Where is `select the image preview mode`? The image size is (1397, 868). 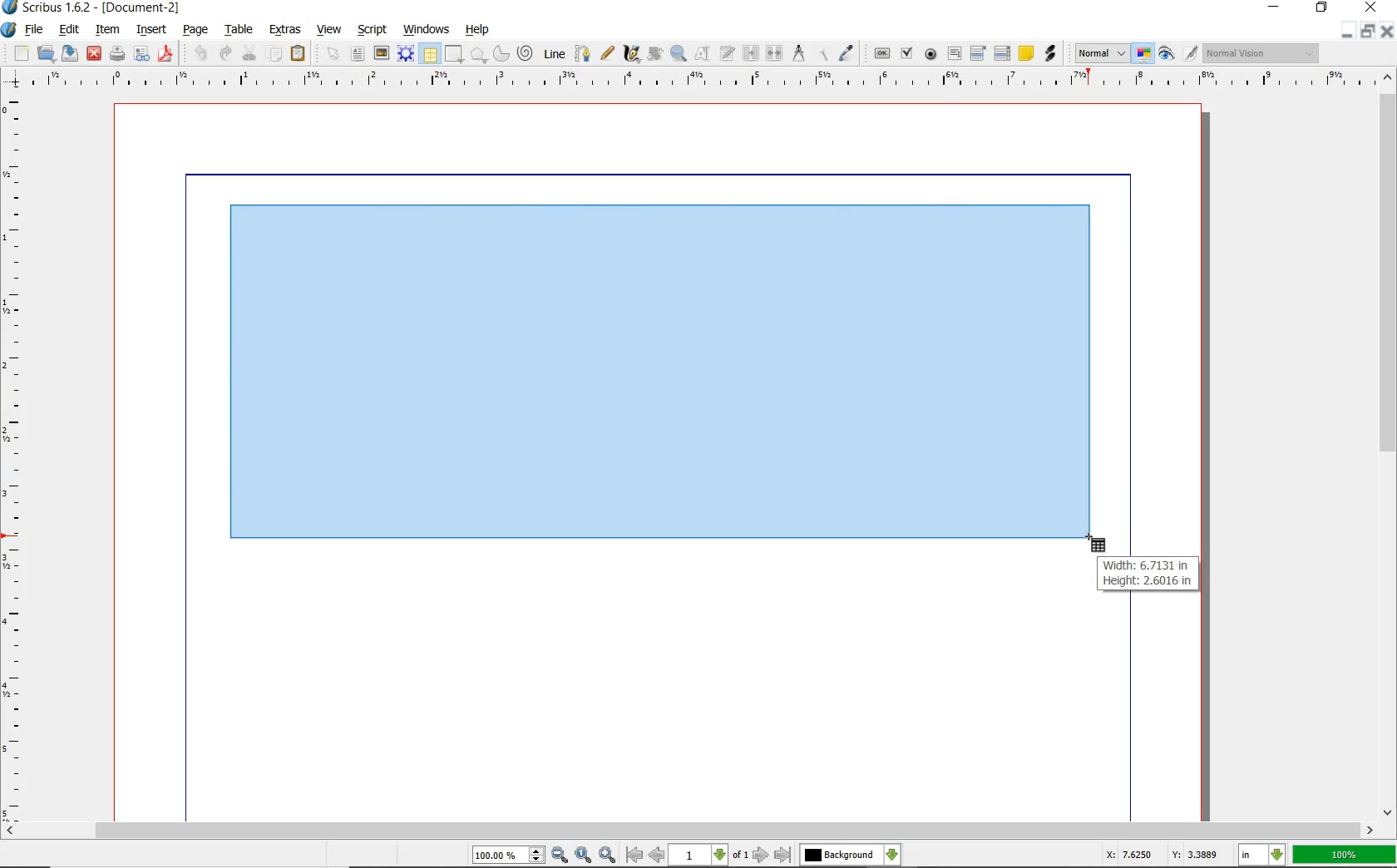 select the image preview mode is located at coordinates (1098, 53).